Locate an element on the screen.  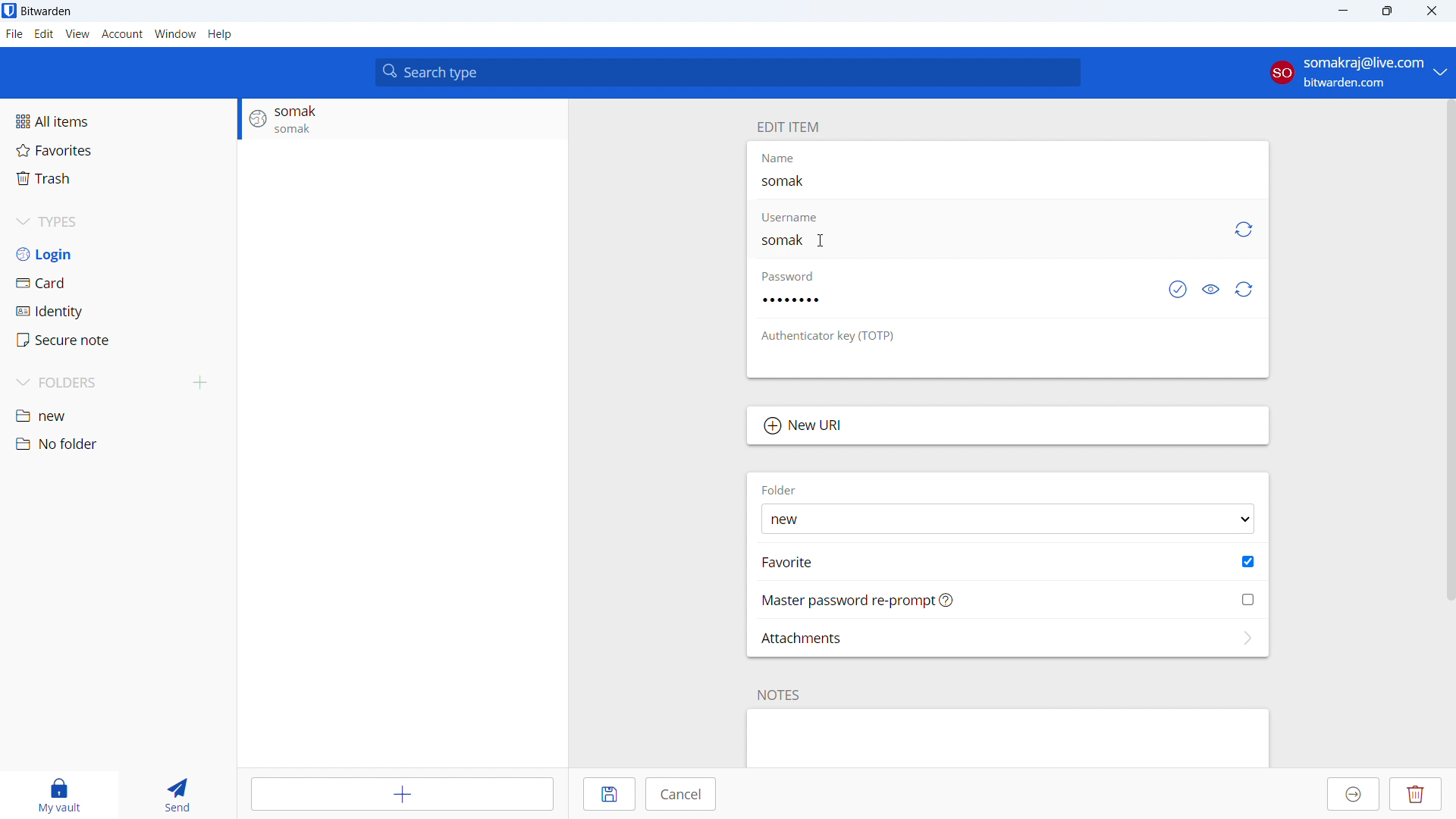
edit name is located at coordinates (1006, 181).